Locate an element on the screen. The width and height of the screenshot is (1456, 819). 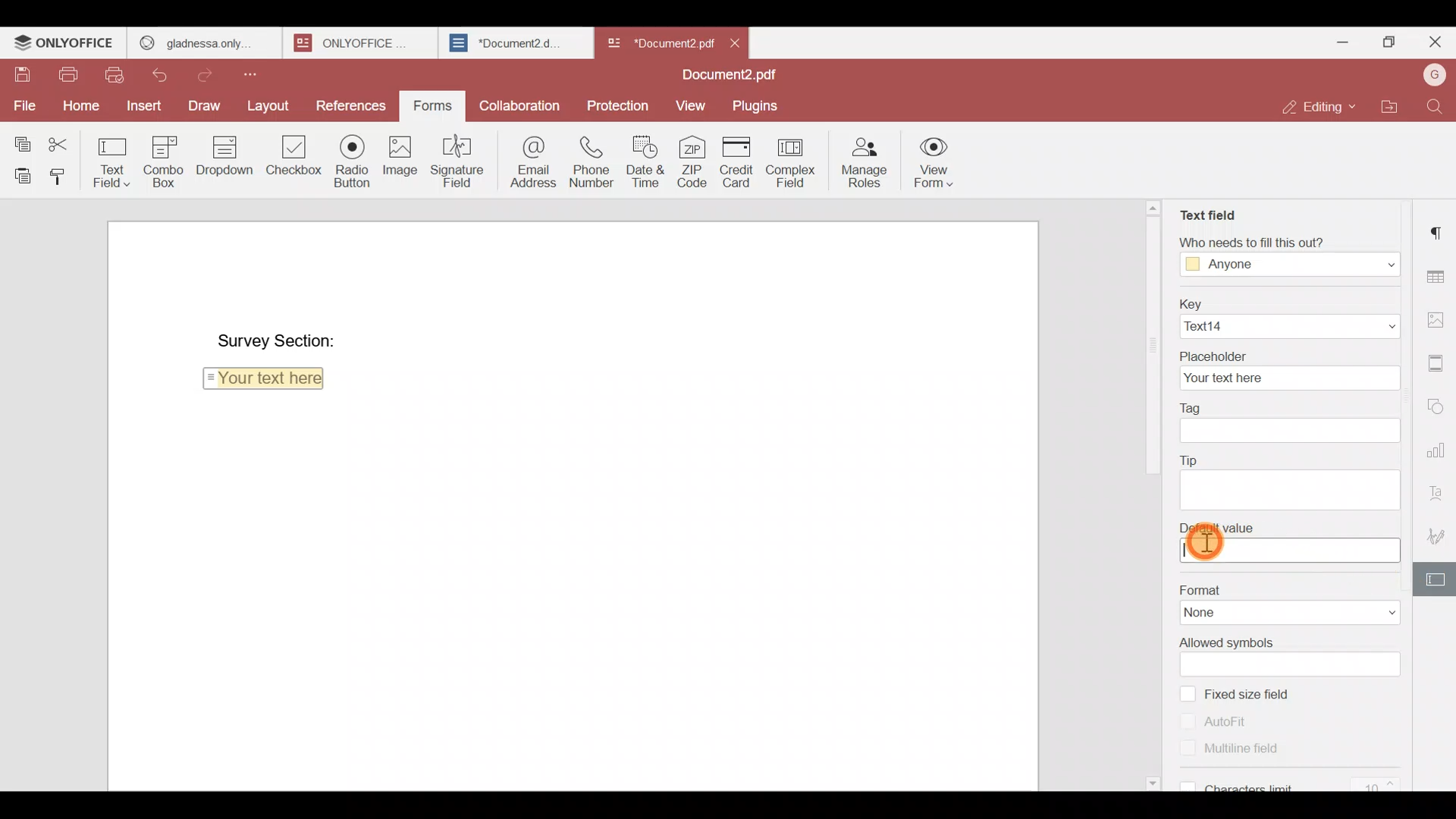
‘Who needs to fill this out? is located at coordinates (1296, 242).